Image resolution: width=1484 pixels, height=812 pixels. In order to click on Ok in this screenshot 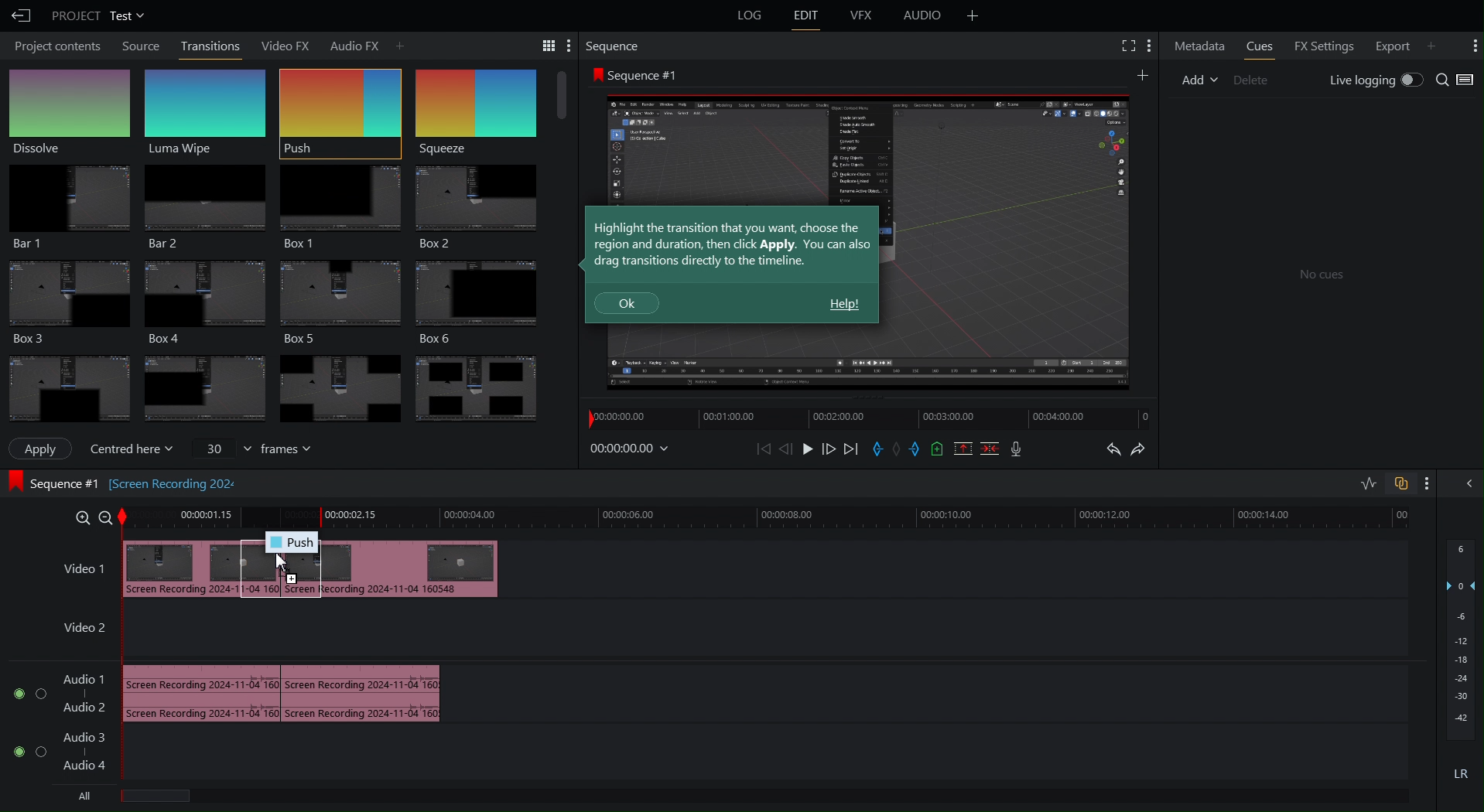, I will do `click(627, 304)`.